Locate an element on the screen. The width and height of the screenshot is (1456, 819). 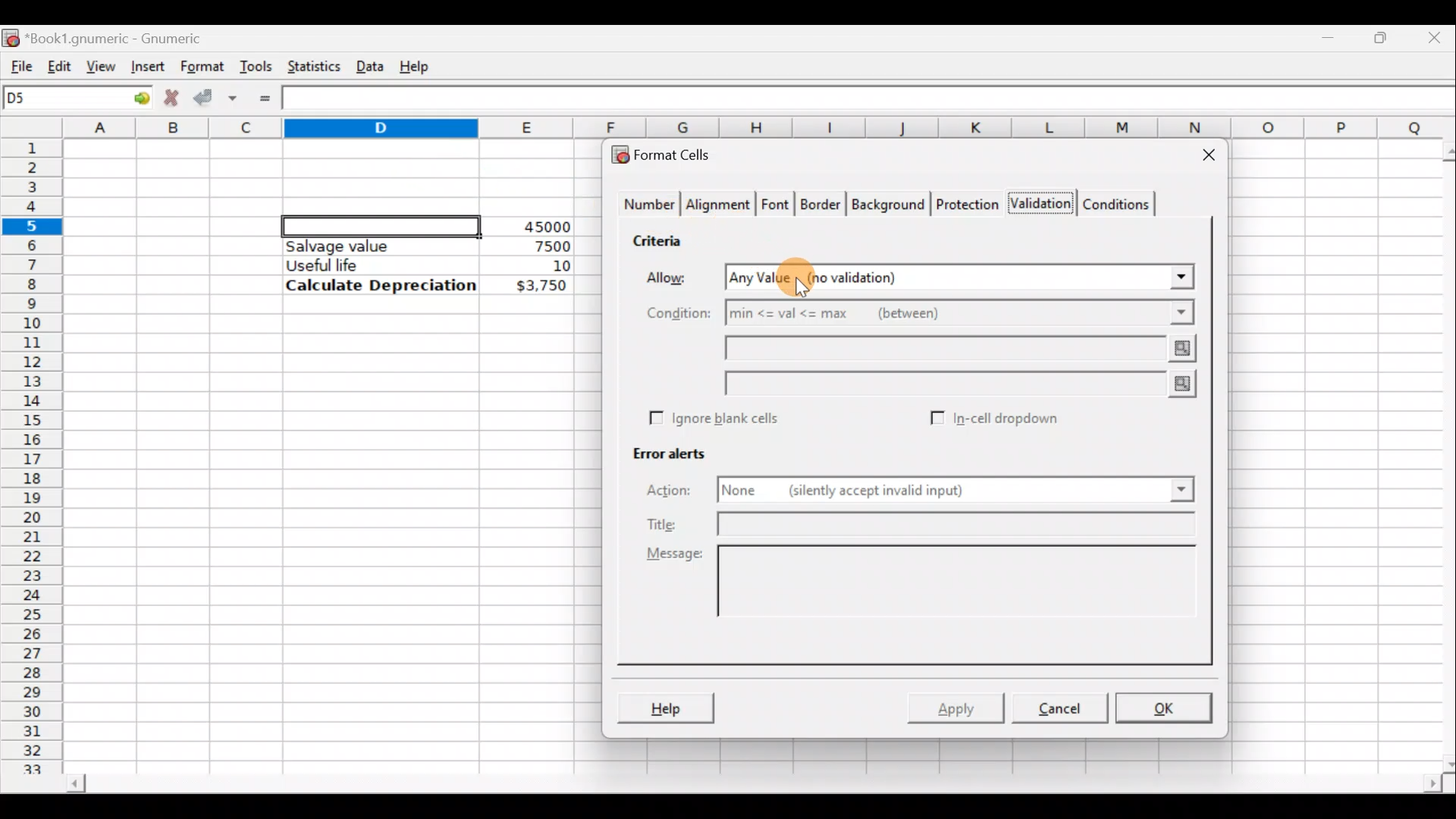
Edit is located at coordinates (59, 63).